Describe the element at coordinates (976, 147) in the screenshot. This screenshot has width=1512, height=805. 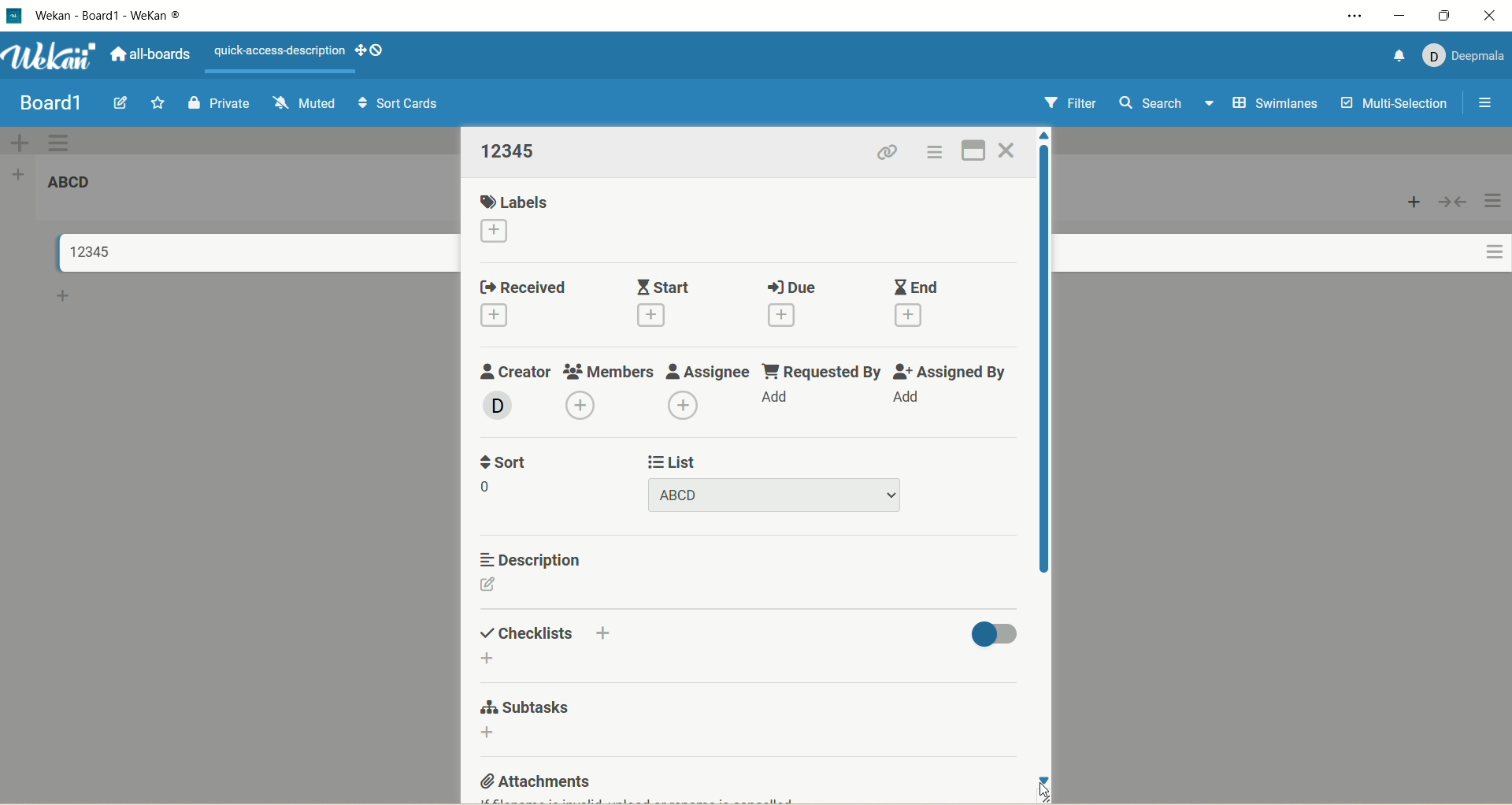
I see `full screen` at that location.